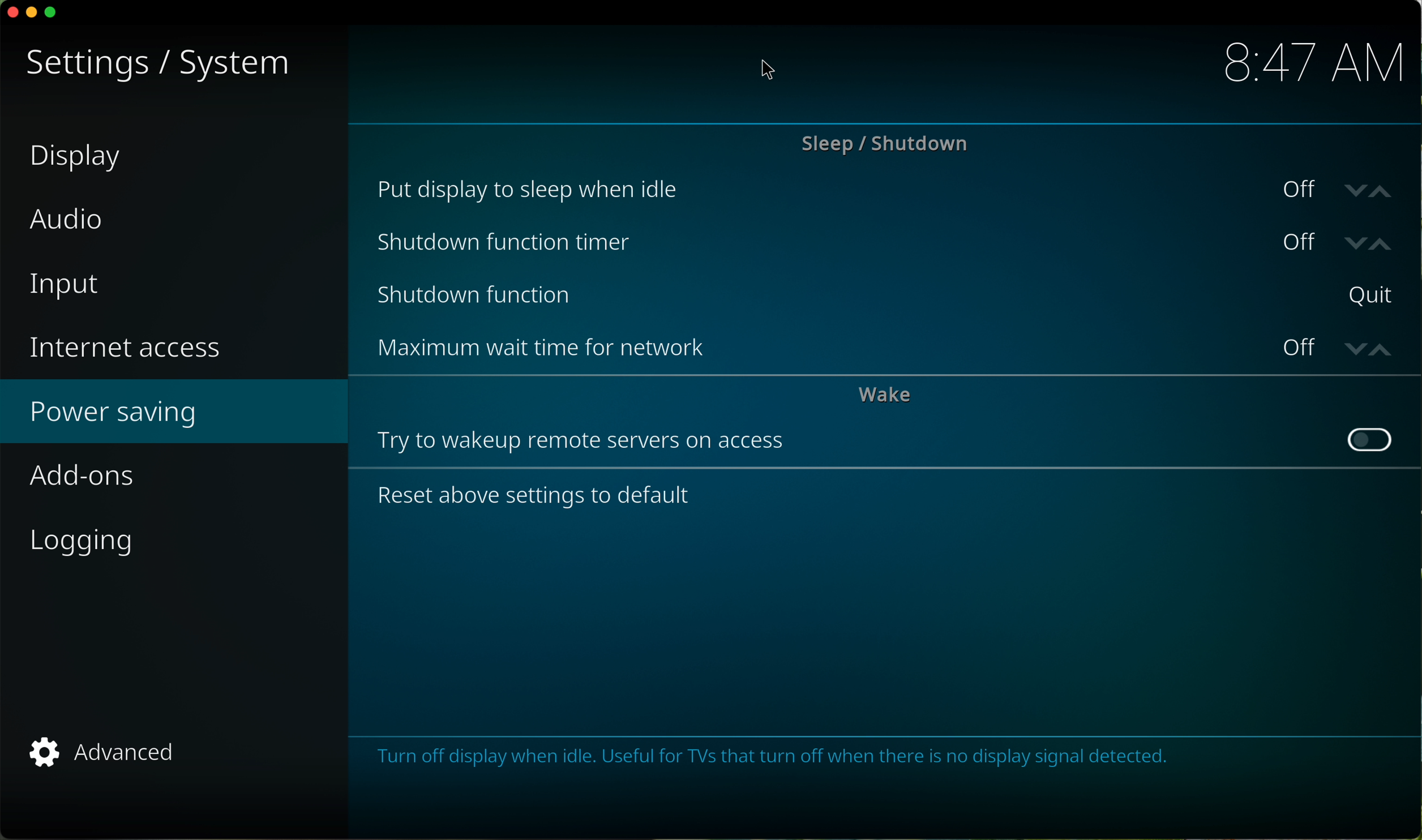 The image size is (1422, 840). Describe the element at coordinates (886, 449) in the screenshot. I see `unknown sources` at that location.